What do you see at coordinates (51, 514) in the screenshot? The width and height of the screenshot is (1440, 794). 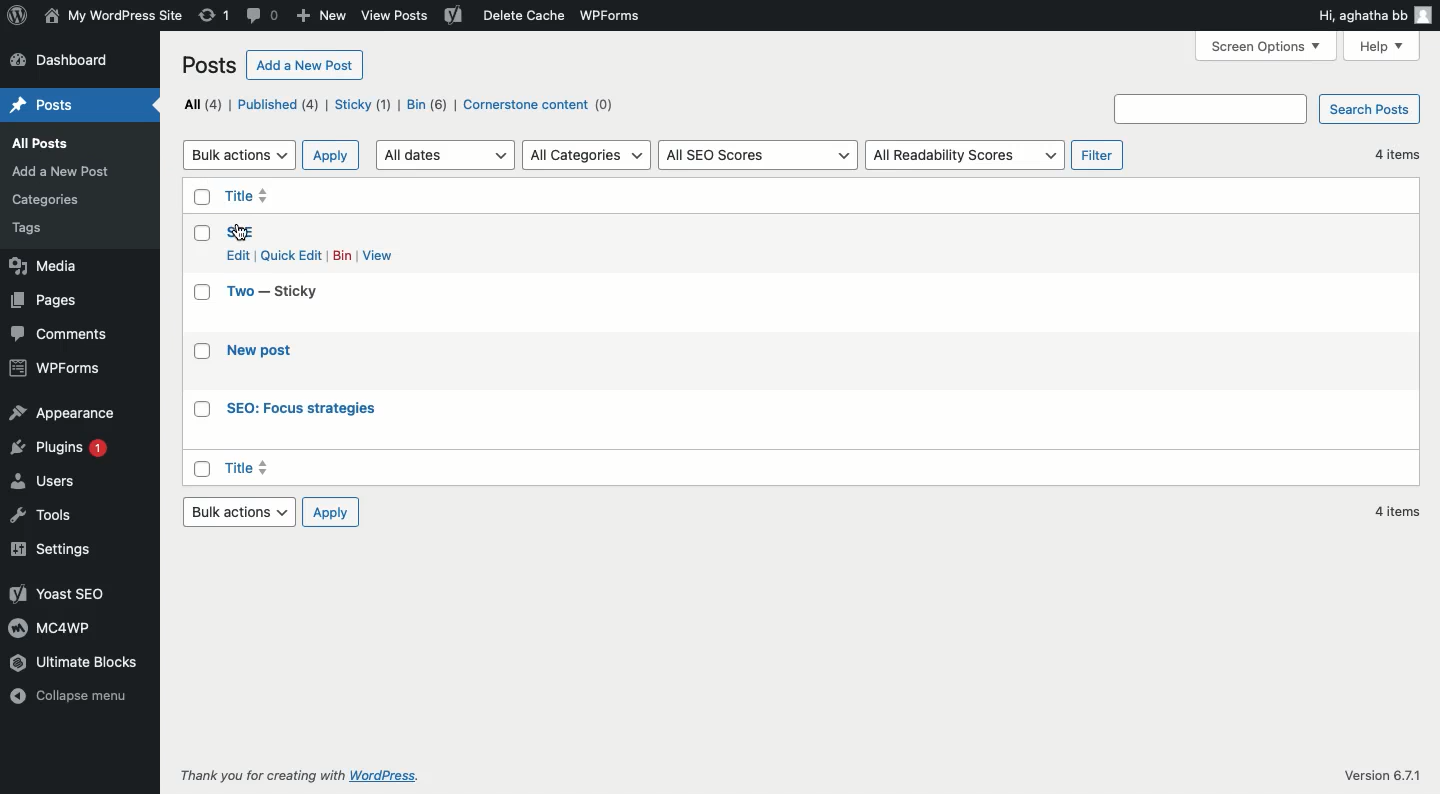 I see `Tools` at bounding box center [51, 514].